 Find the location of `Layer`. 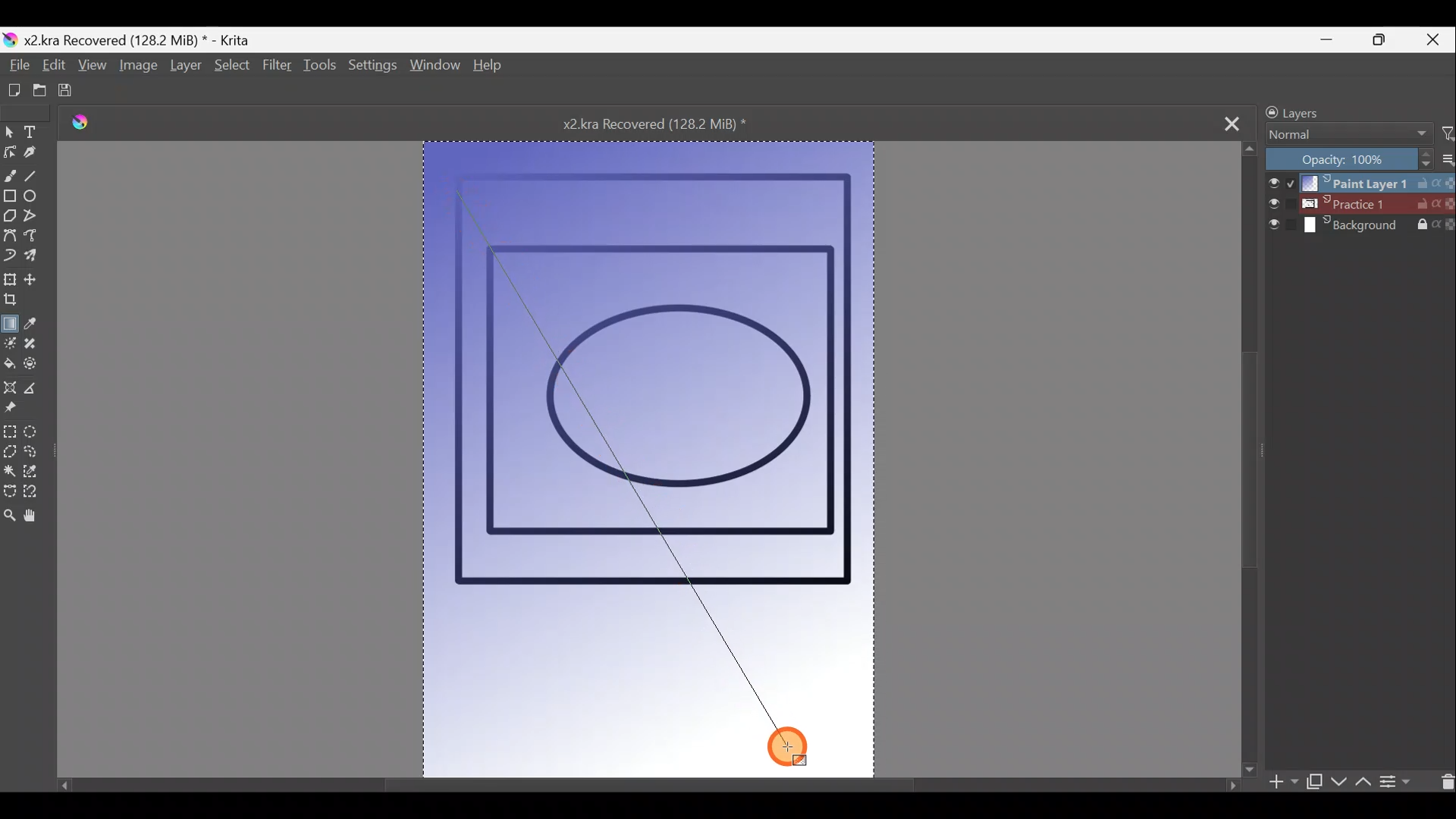

Layer is located at coordinates (185, 68).